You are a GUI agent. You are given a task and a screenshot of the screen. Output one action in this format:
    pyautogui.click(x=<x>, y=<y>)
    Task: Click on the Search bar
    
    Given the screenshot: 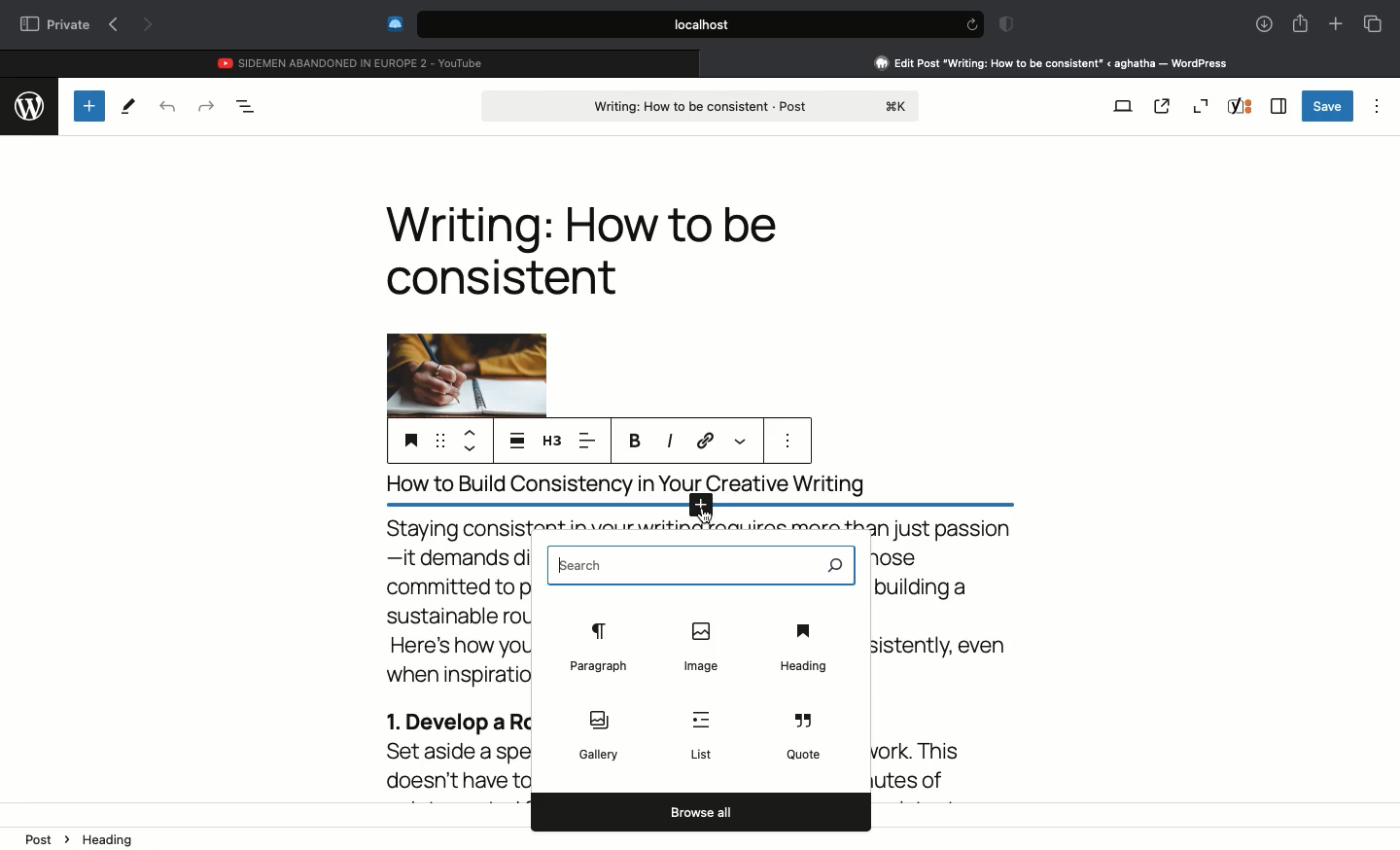 What is the action you would take?
    pyautogui.click(x=682, y=24)
    